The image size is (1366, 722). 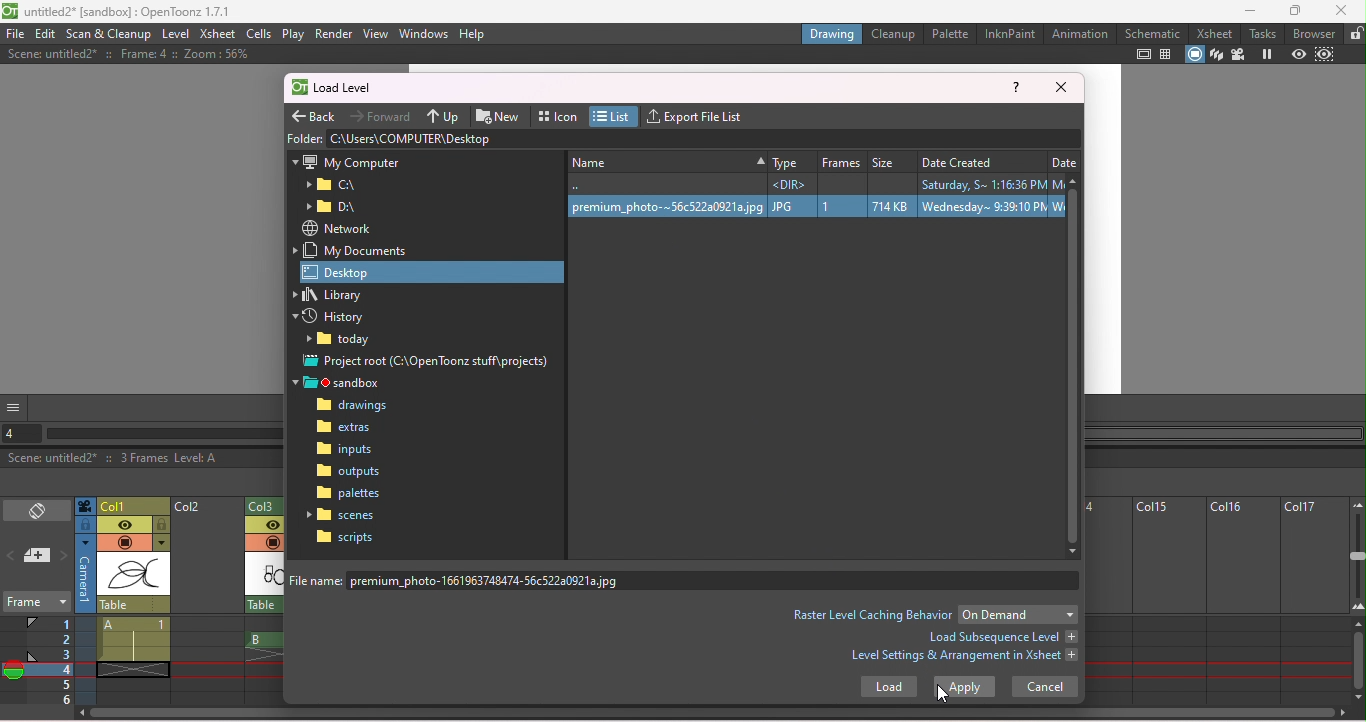 I want to click on Scan & Cleanup, so click(x=110, y=34).